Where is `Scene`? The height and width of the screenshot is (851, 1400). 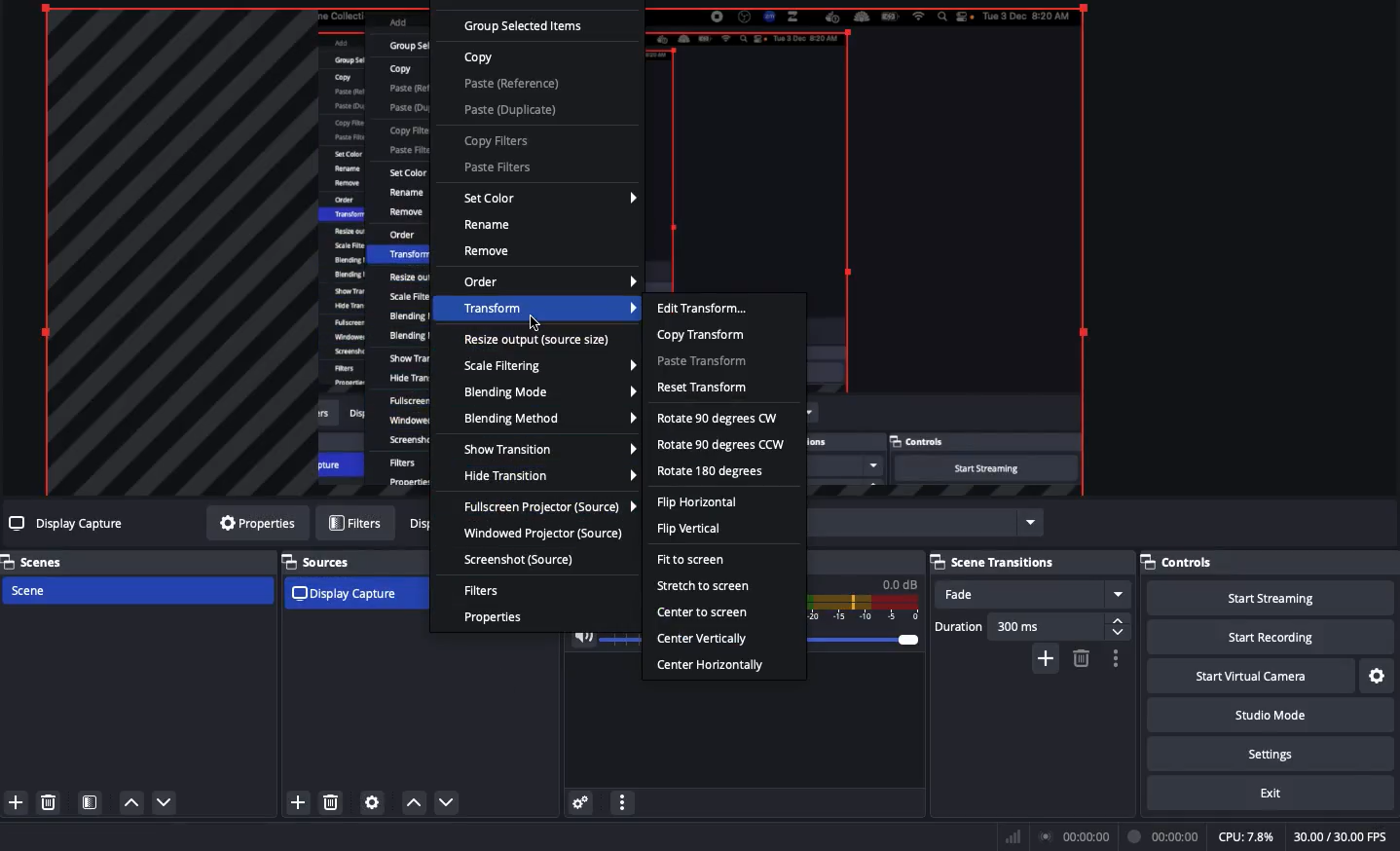
Scene is located at coordinates (136, 592).